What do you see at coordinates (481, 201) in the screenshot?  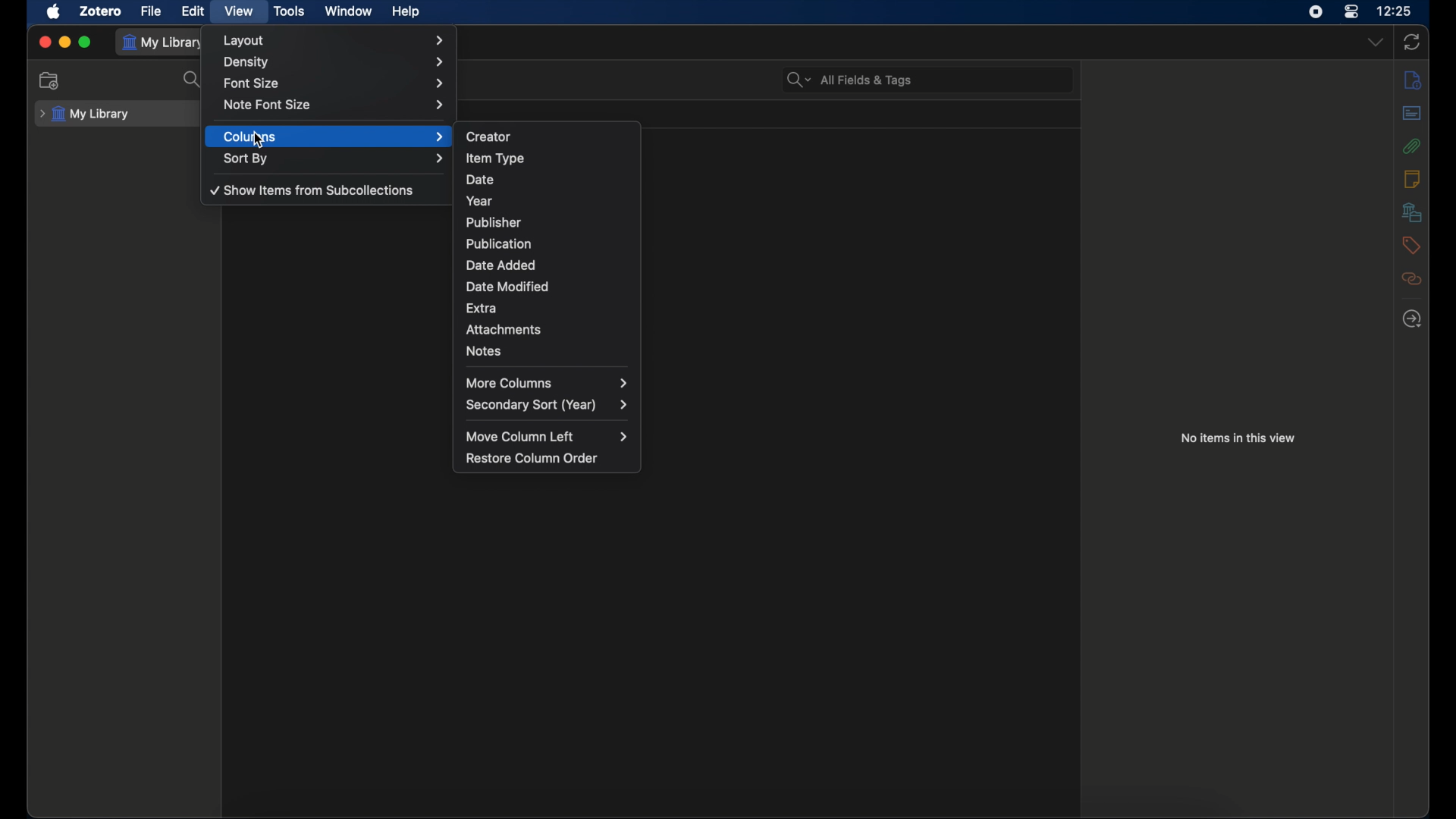 I see `year` at bounding box center [481, 201].